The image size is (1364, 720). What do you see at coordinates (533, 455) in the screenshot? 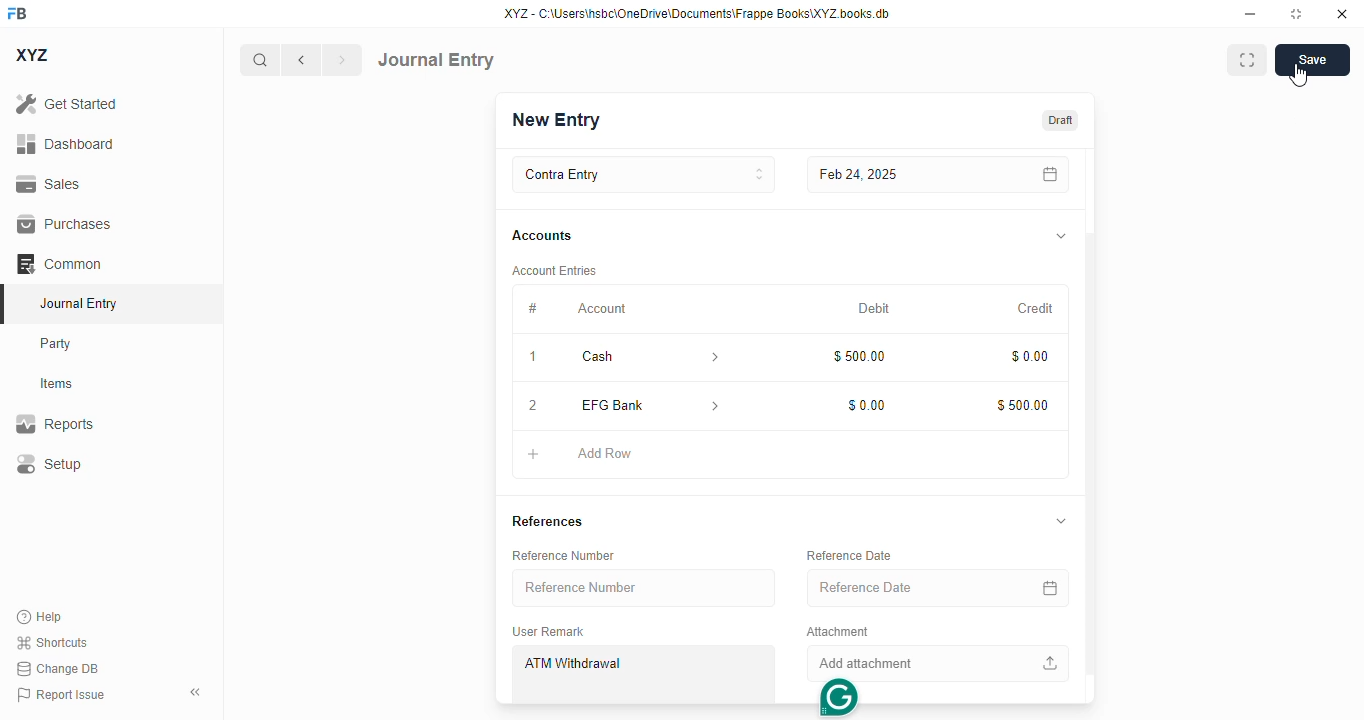
I see `add button` at bounding box center [533, 455].